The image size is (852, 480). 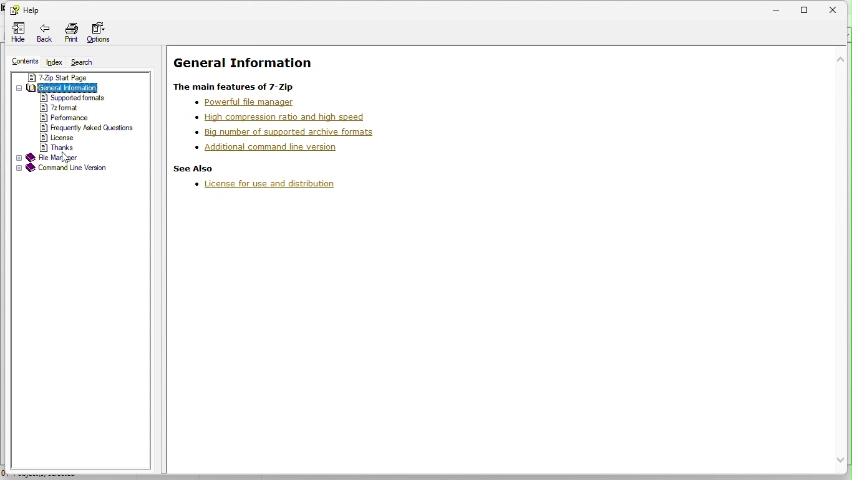 I want to click on Licence, so click(x=59, y=138).